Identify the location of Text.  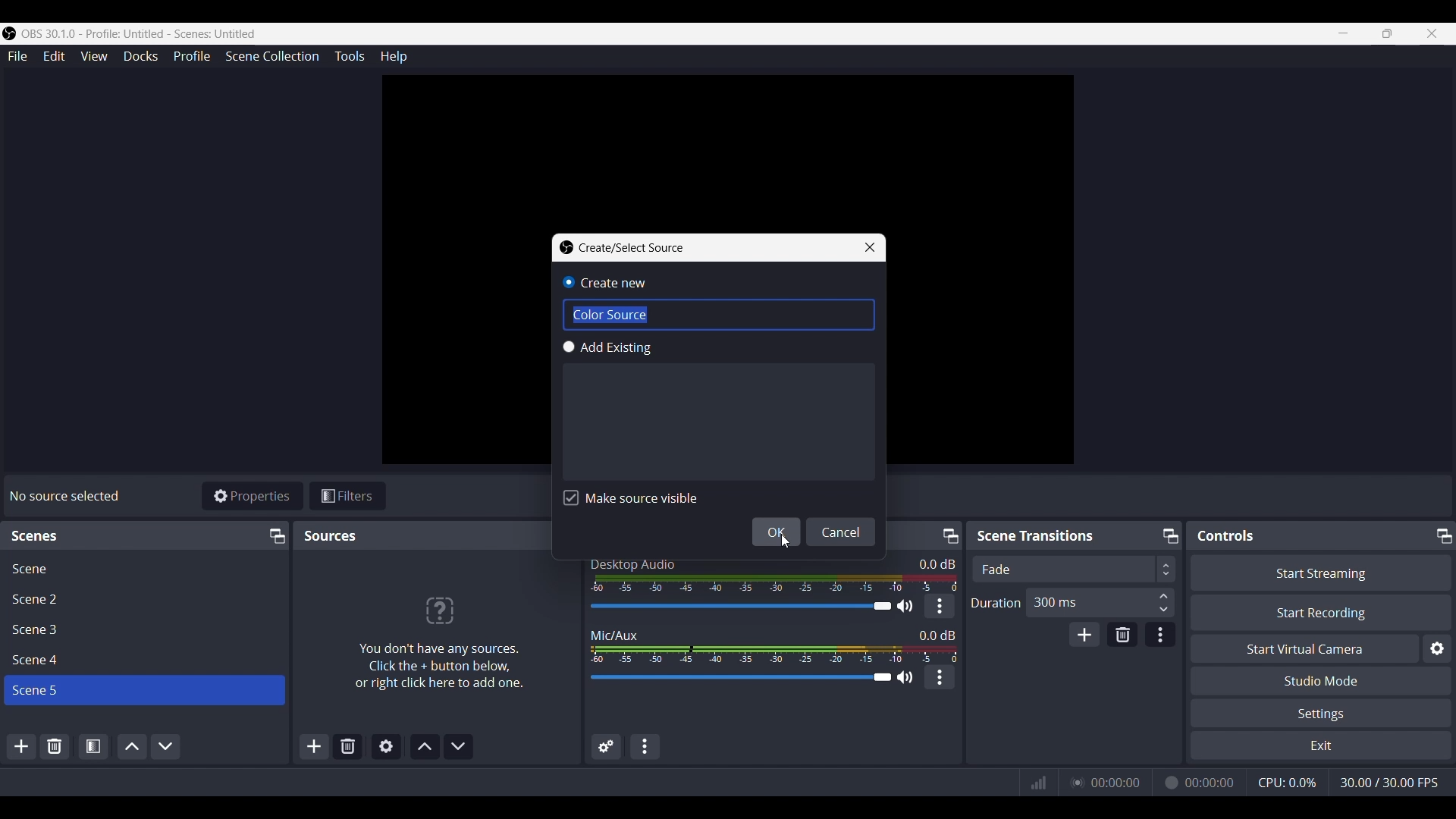
(67, 496).